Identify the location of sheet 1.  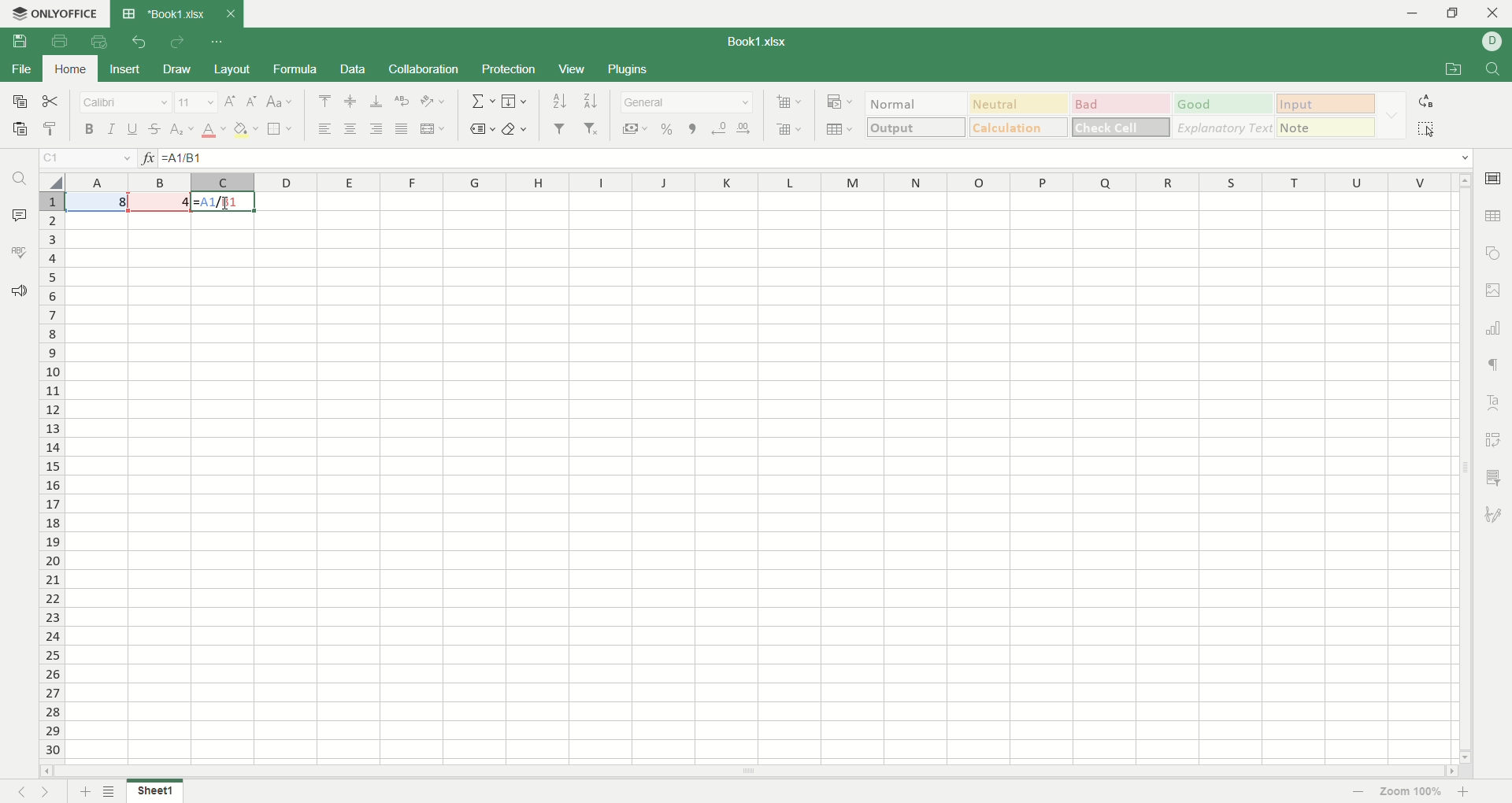
(155, 790).